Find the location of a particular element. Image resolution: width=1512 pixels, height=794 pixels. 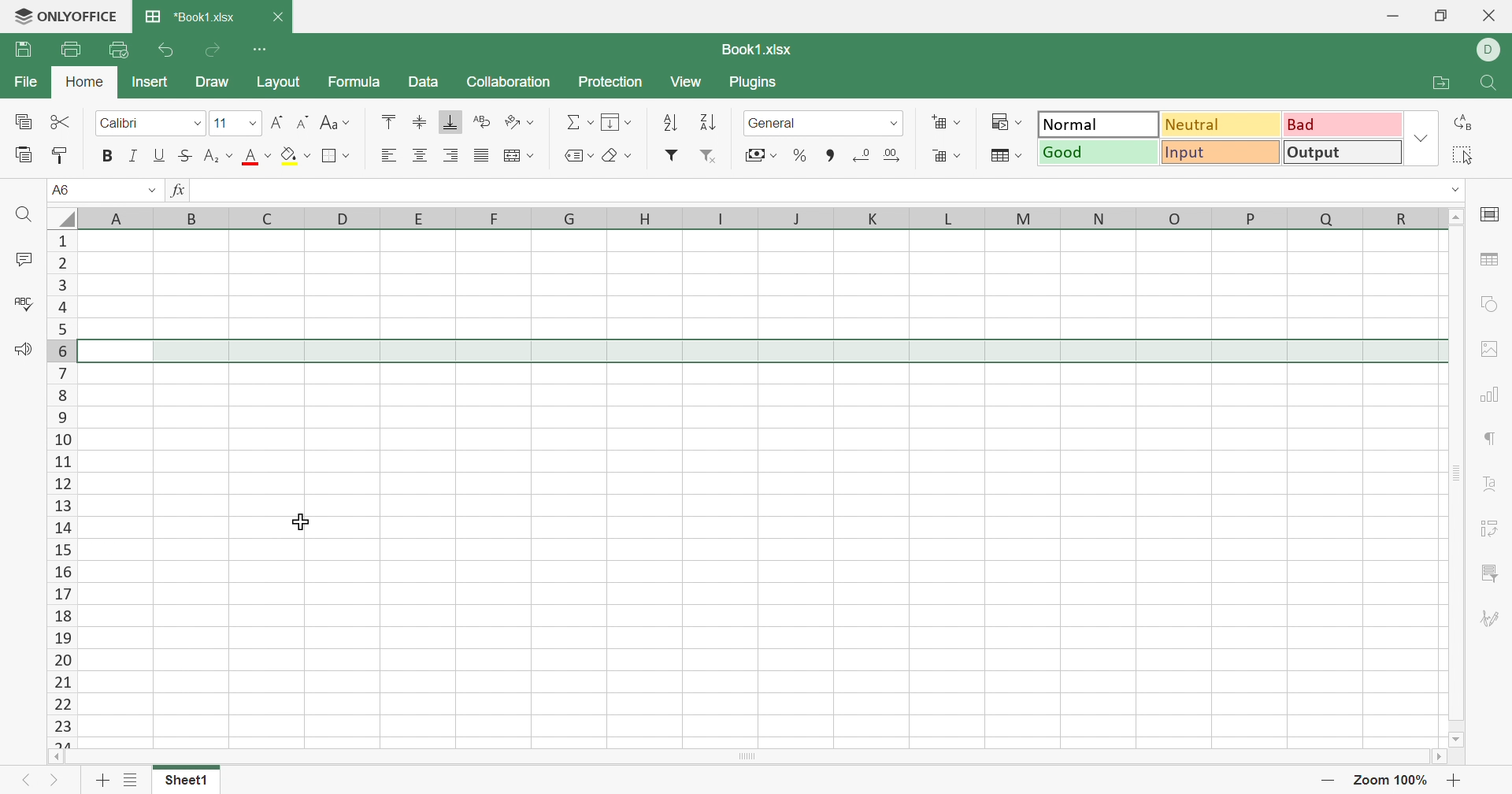

Shape settings is located at coordinates (1490, 303).